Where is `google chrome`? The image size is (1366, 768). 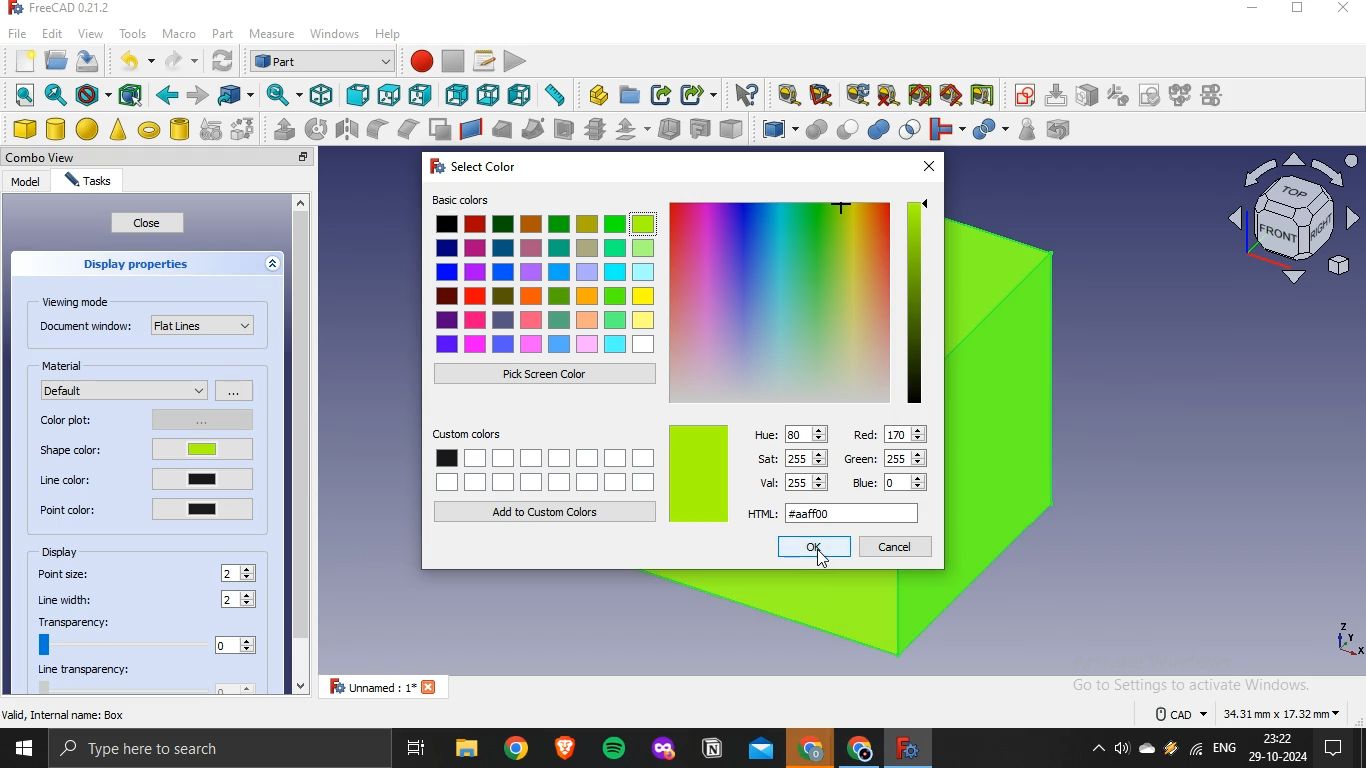
google chrome is located at coordinates (516, 749).